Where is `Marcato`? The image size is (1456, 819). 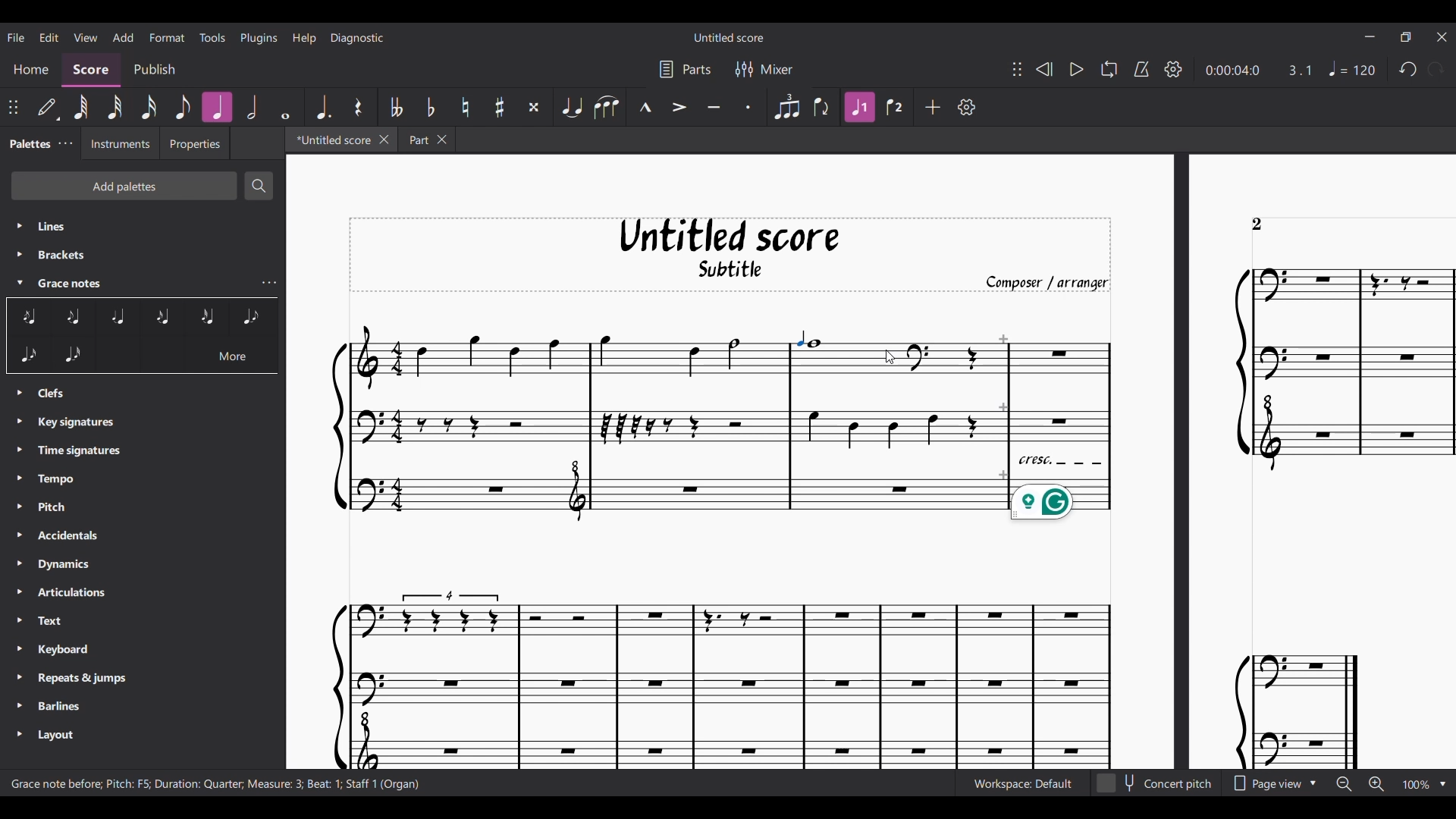
Marcato is located at coordinates (644, 107).